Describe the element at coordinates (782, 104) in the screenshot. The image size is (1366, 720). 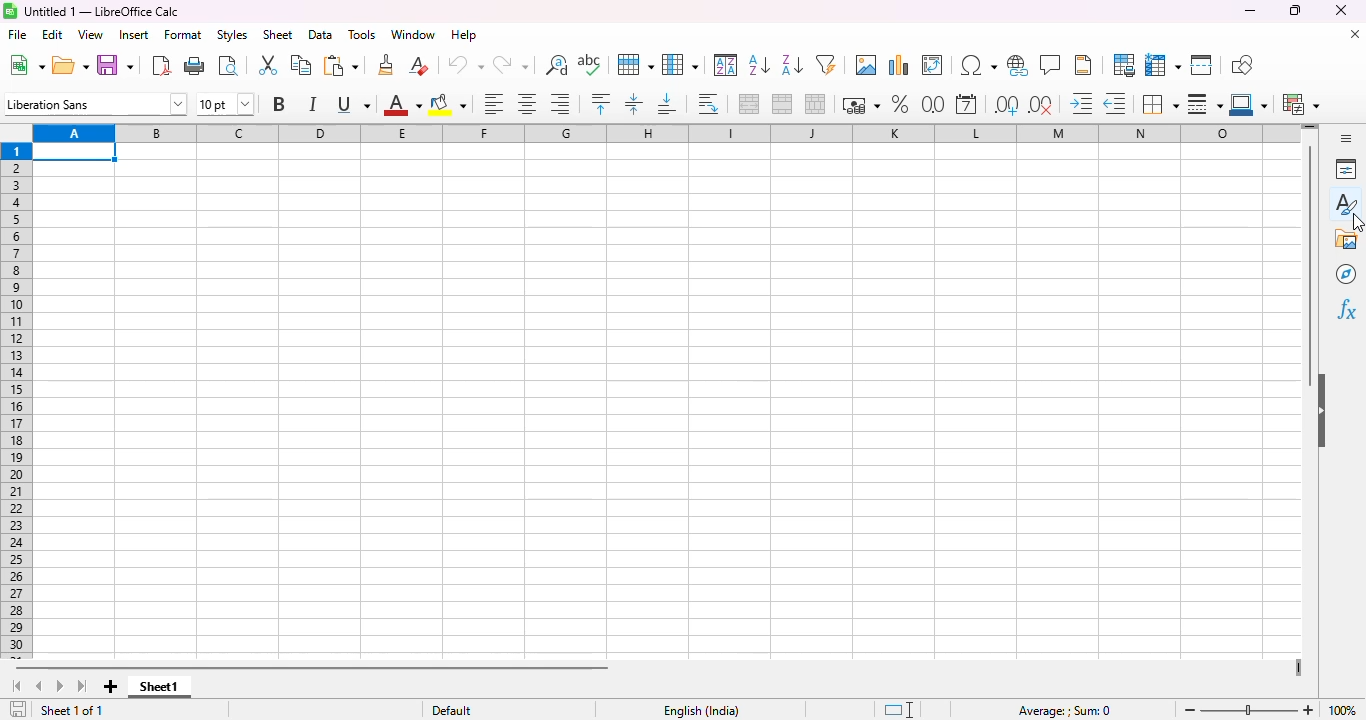
I see `merge cells` at that location.